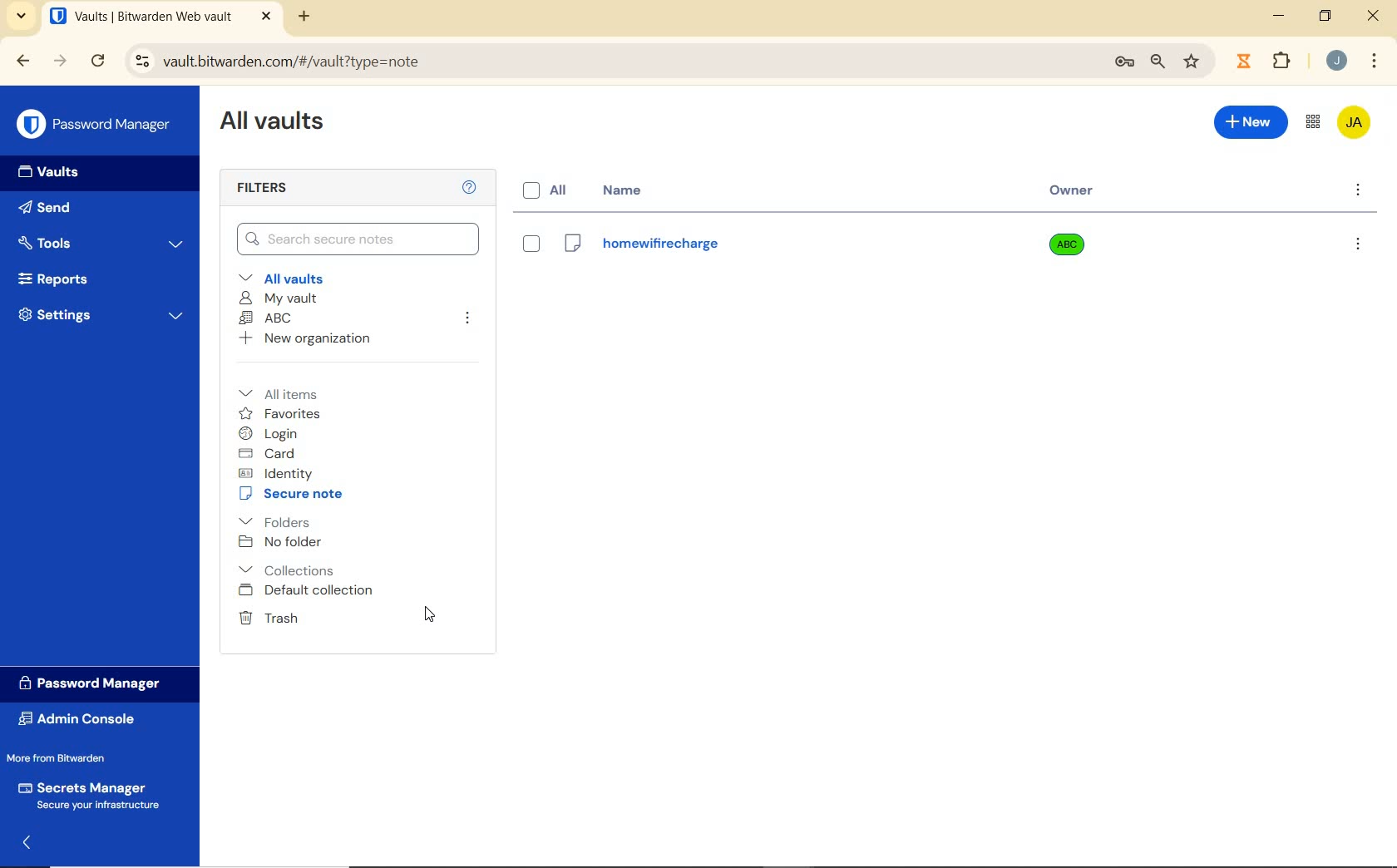 The height and width of the screenshot is (868, 1397). Describe the element at coordinates (97, 684) in the screenshot. I see `Password Manager` at that location.